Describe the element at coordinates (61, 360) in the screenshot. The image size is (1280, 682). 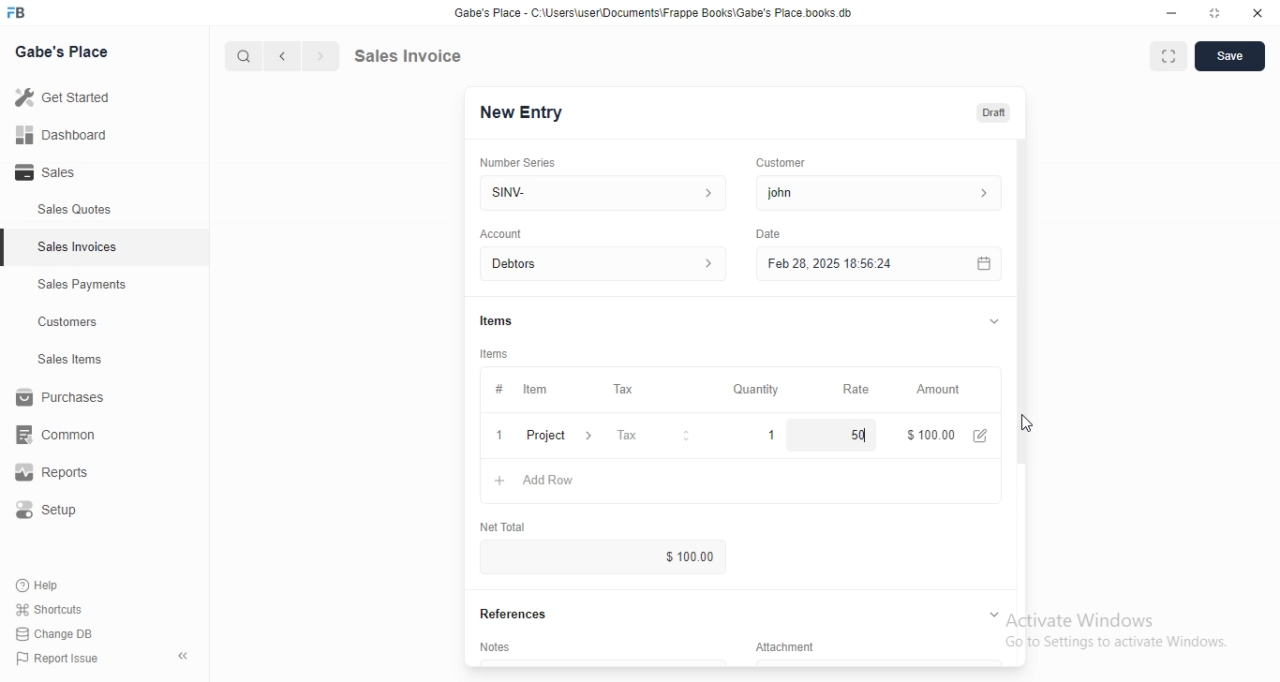
I see `Sales Items` at that location.